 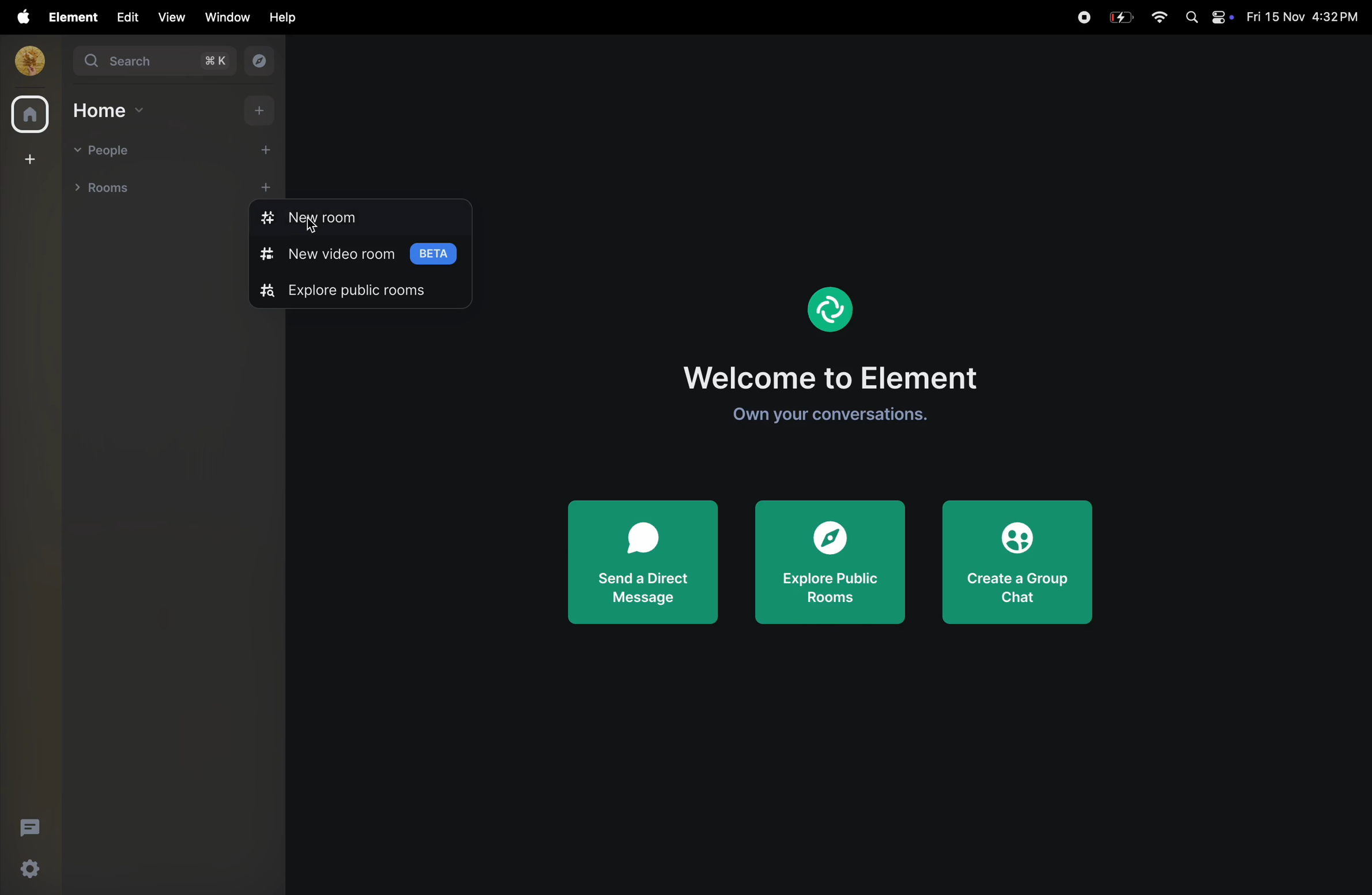 I want to click on new video room, so click(x=356, y=254).